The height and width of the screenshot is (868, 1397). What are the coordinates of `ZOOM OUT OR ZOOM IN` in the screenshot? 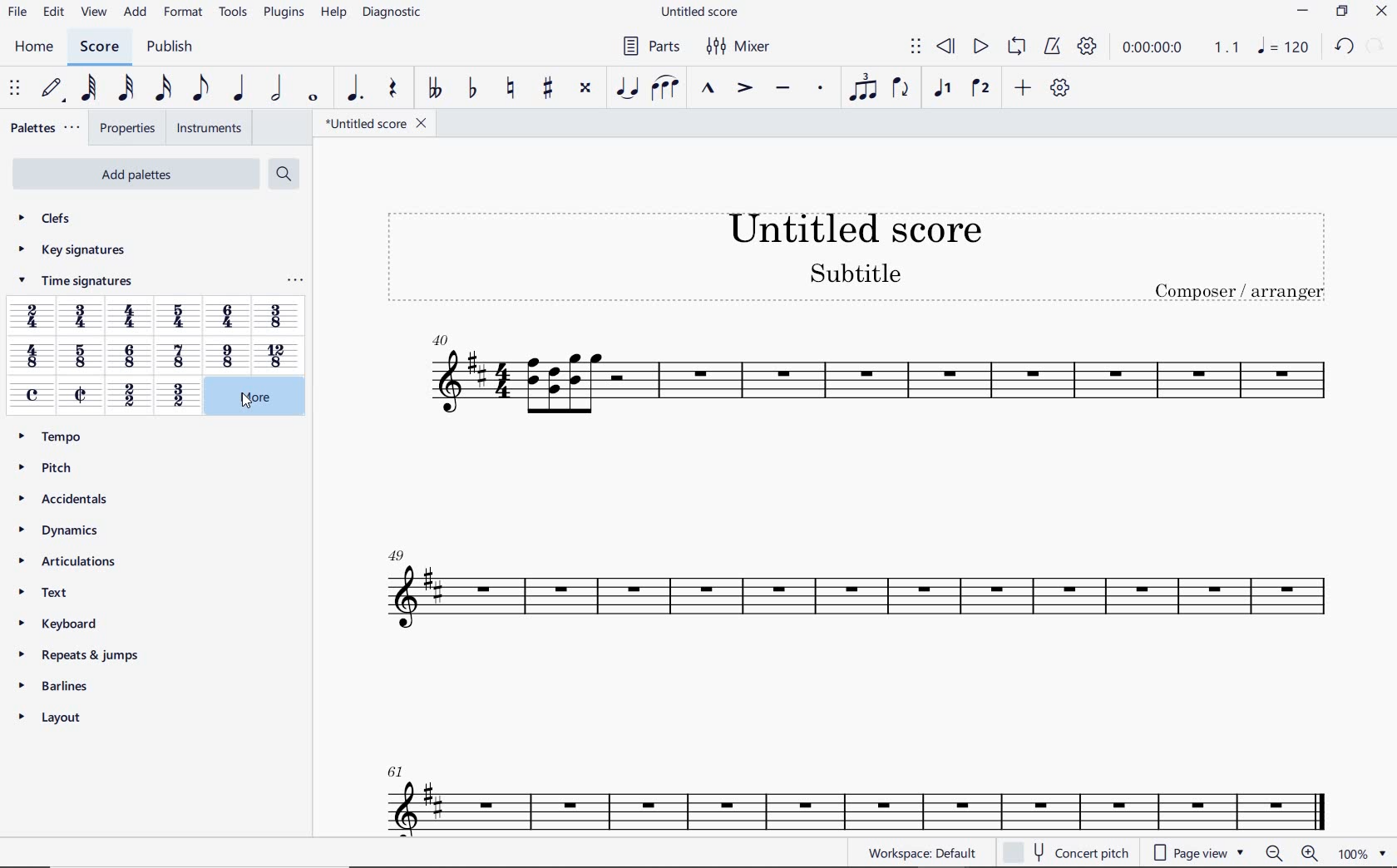 It's located at (1290, 852).